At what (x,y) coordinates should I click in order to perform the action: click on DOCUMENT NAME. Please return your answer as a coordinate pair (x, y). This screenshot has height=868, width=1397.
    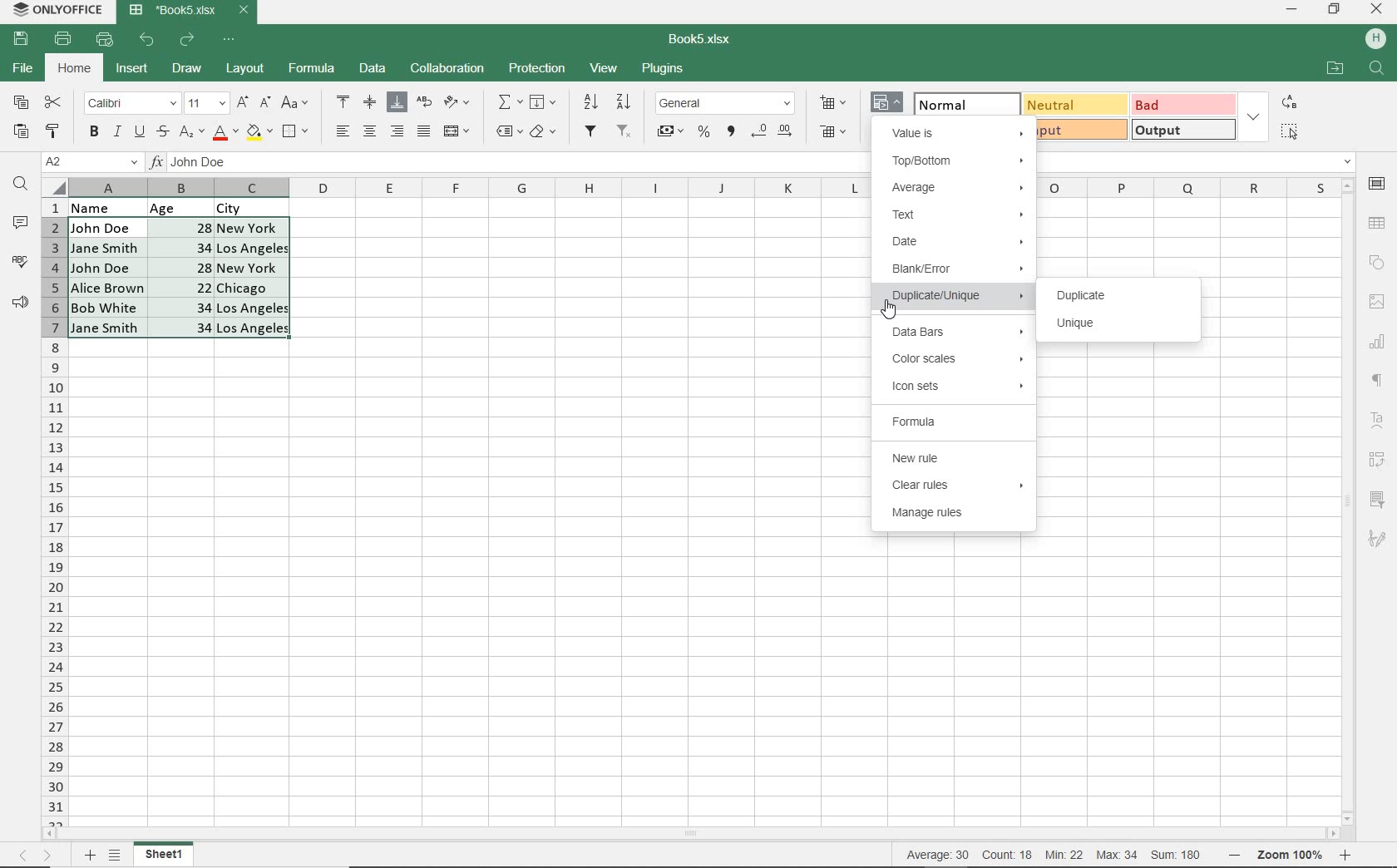
    Looking at the image, I should click on (706, 40).